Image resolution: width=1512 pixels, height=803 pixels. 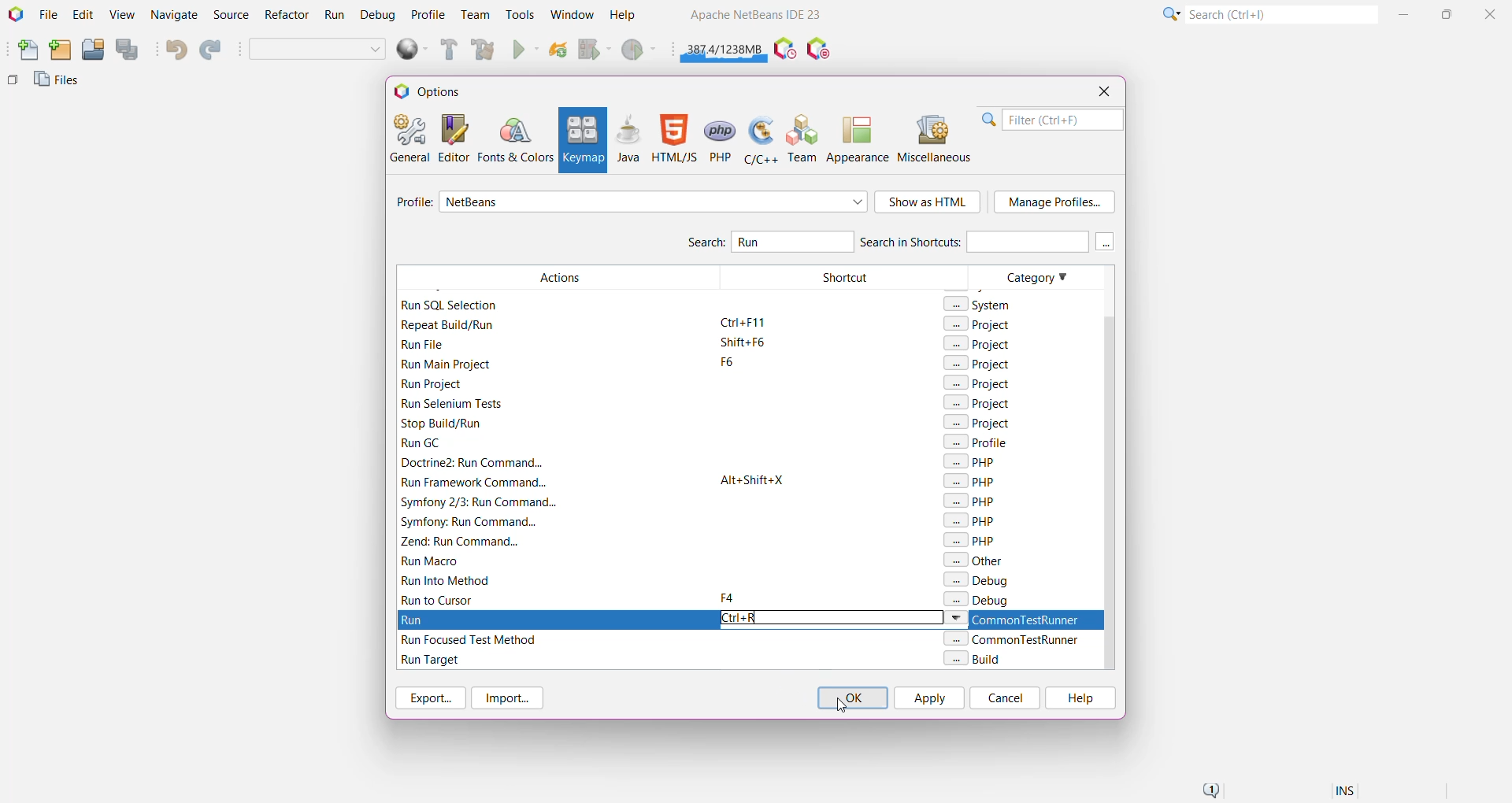 What do you see at coordinates (288, 17) in the screenshot?
I see `Refactor` at bounding box center [288, 17].